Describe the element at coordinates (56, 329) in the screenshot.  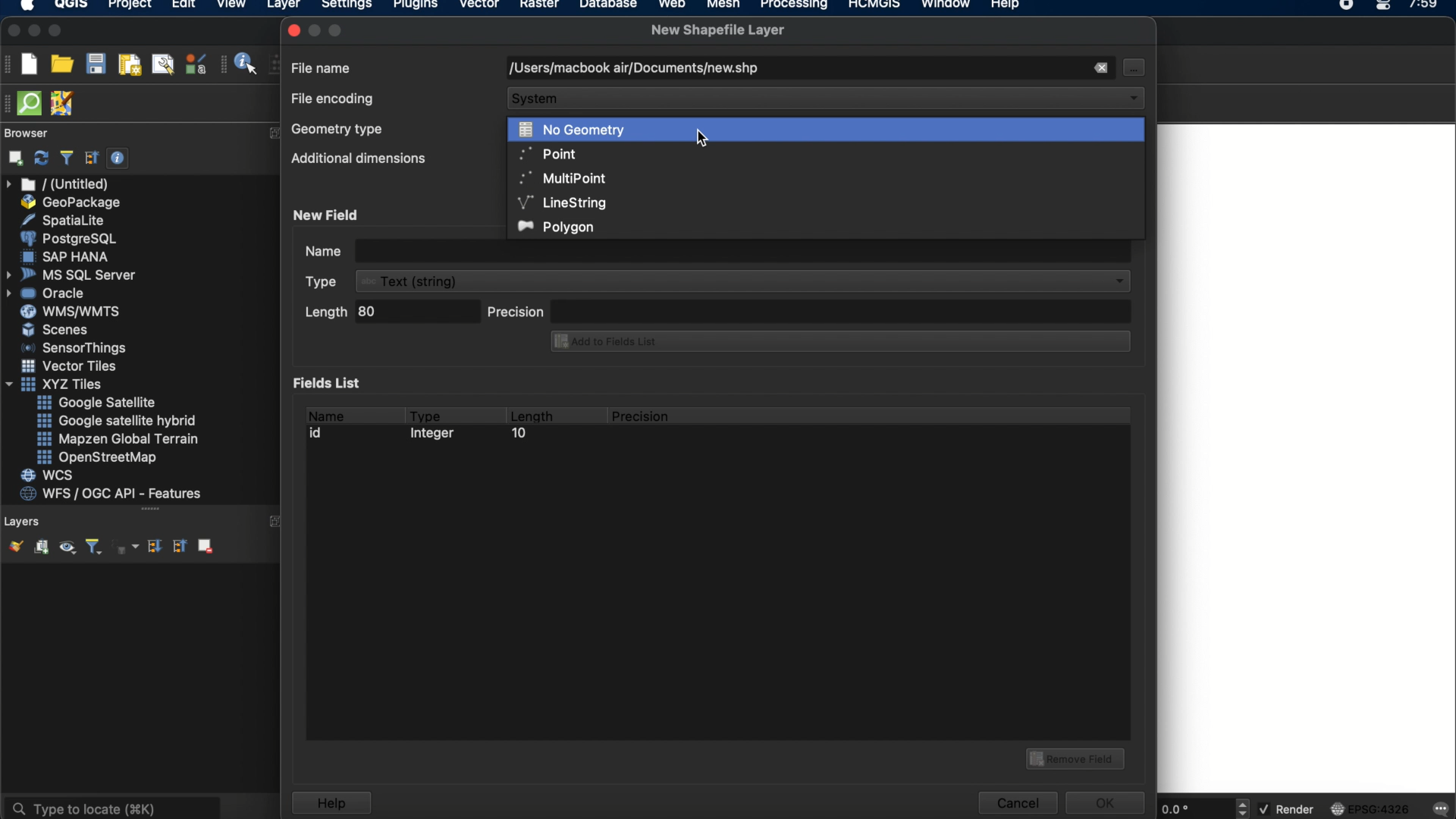
I see `scenes` at that location.